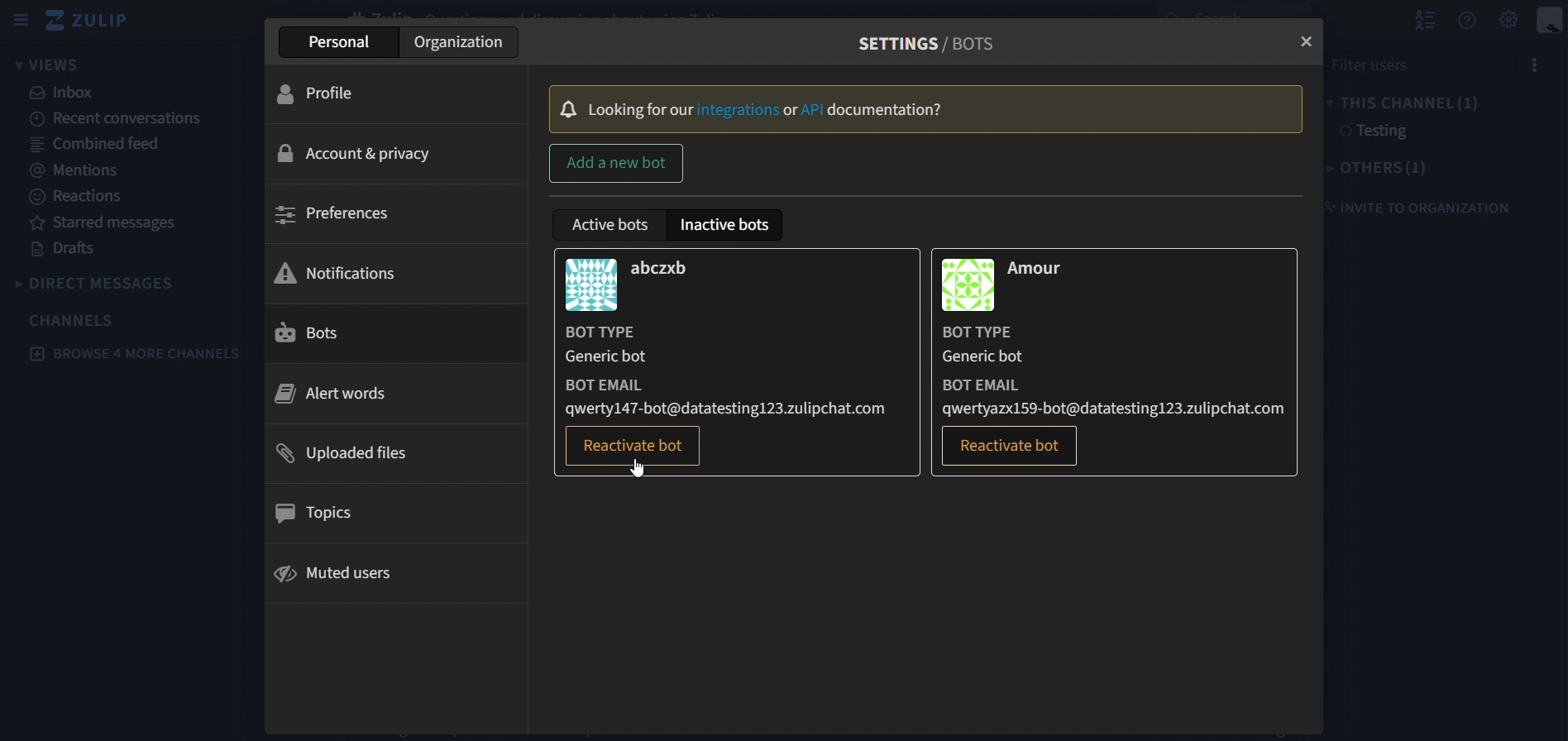 The image size is (1568, 741). What do you see at coordinates (988, 384) in the screenshot?
I see `BOT EMAIL` at bounding box center [988, 384].